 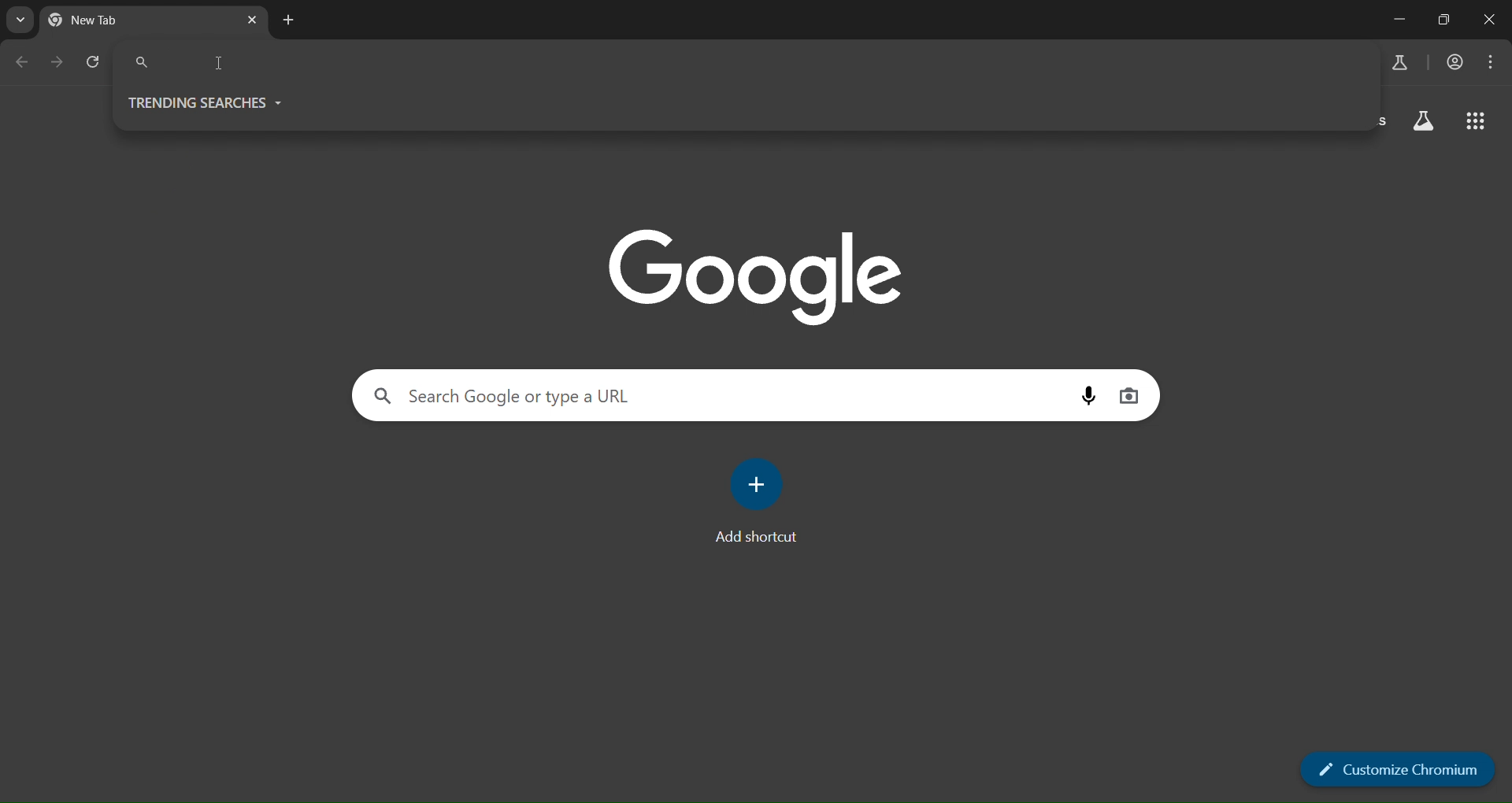 I want to click on close tab, so click(x=254, y=22).